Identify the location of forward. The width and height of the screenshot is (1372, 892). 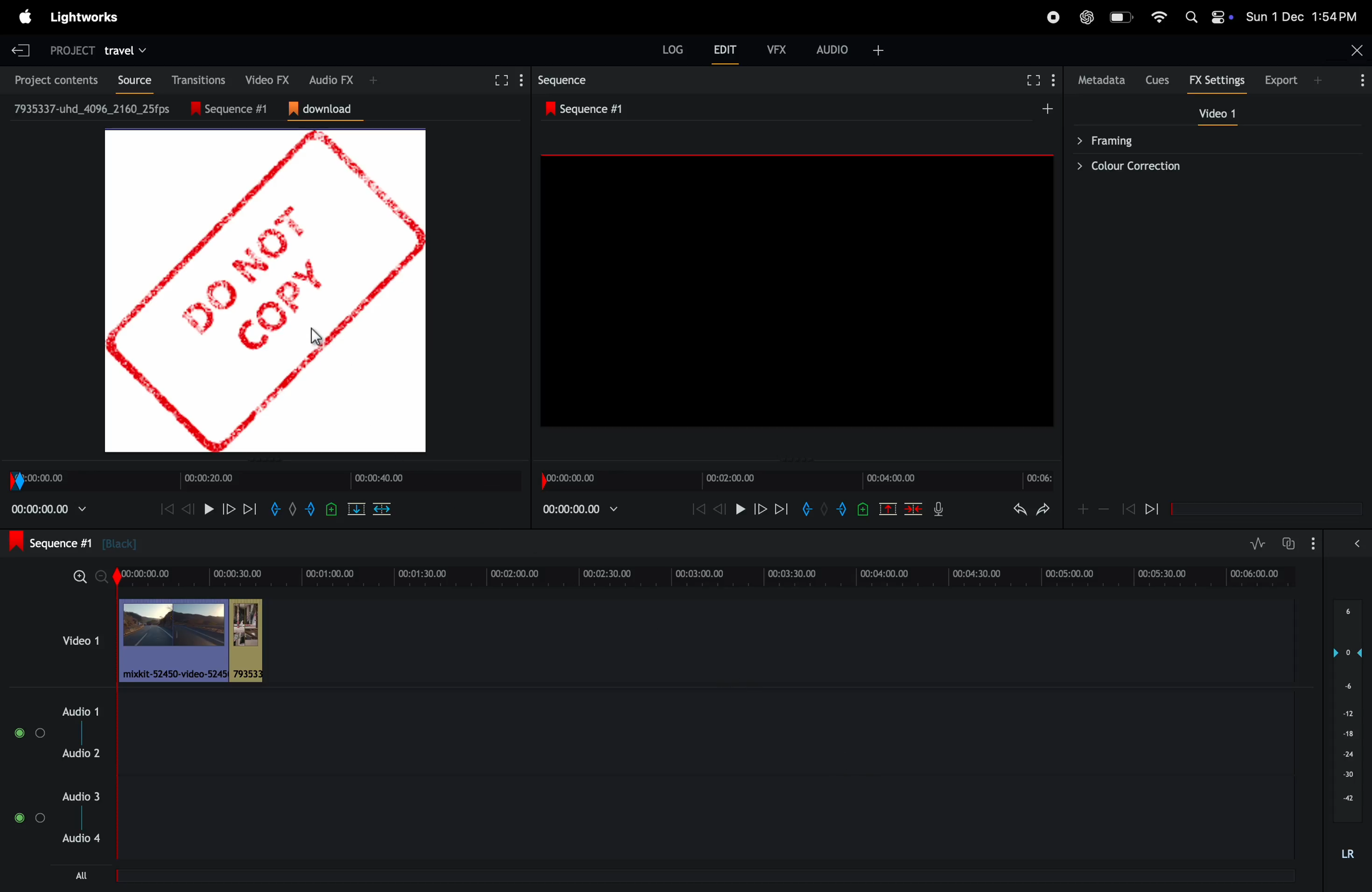
(760, 508).